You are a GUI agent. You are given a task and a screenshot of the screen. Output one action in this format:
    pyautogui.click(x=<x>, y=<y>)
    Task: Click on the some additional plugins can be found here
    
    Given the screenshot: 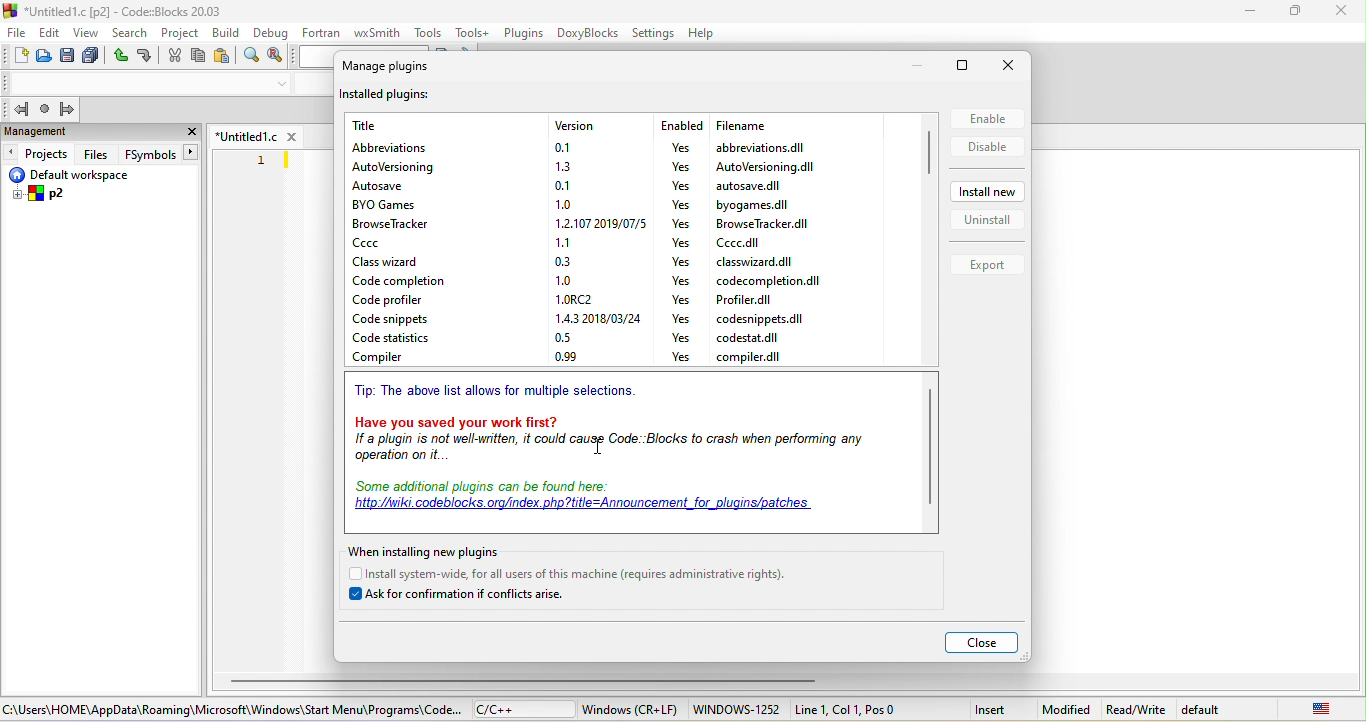 What is the action you would take?
    pyautogui.click(x=600, y=501)
    